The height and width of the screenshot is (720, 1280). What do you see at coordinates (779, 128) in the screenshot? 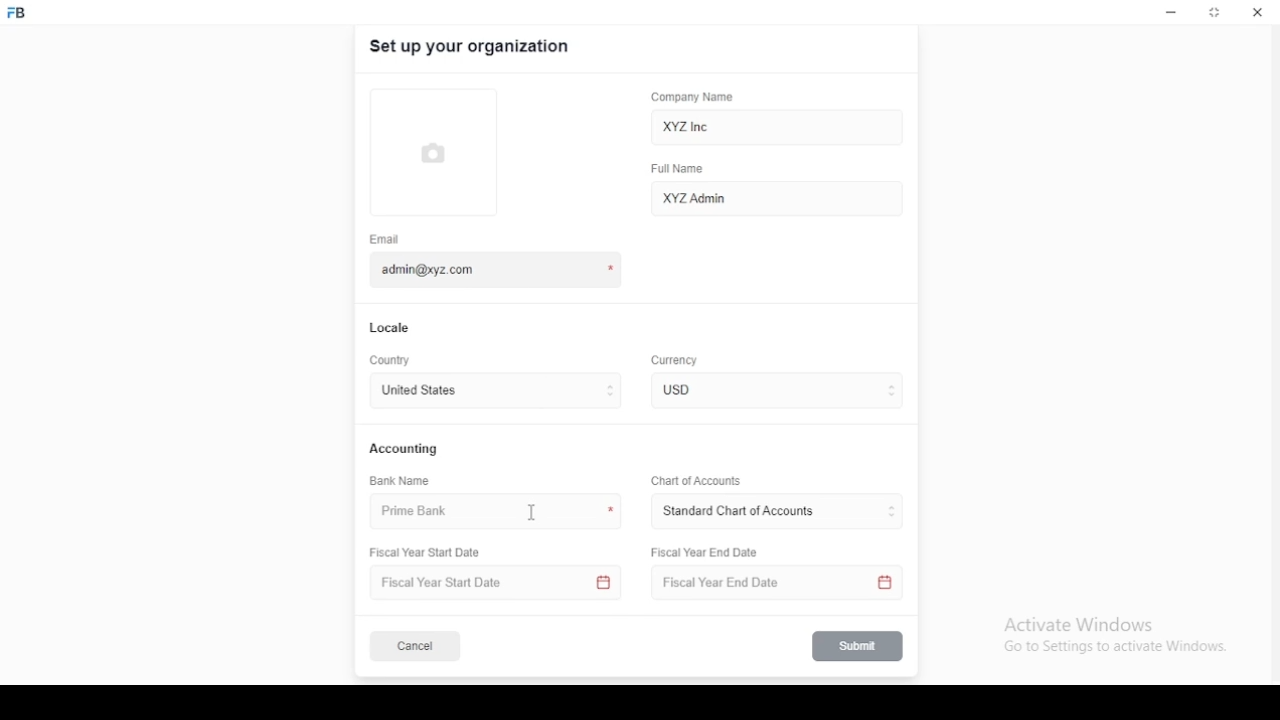
I see `XYZ Inc` at bounding box center [779, 128].